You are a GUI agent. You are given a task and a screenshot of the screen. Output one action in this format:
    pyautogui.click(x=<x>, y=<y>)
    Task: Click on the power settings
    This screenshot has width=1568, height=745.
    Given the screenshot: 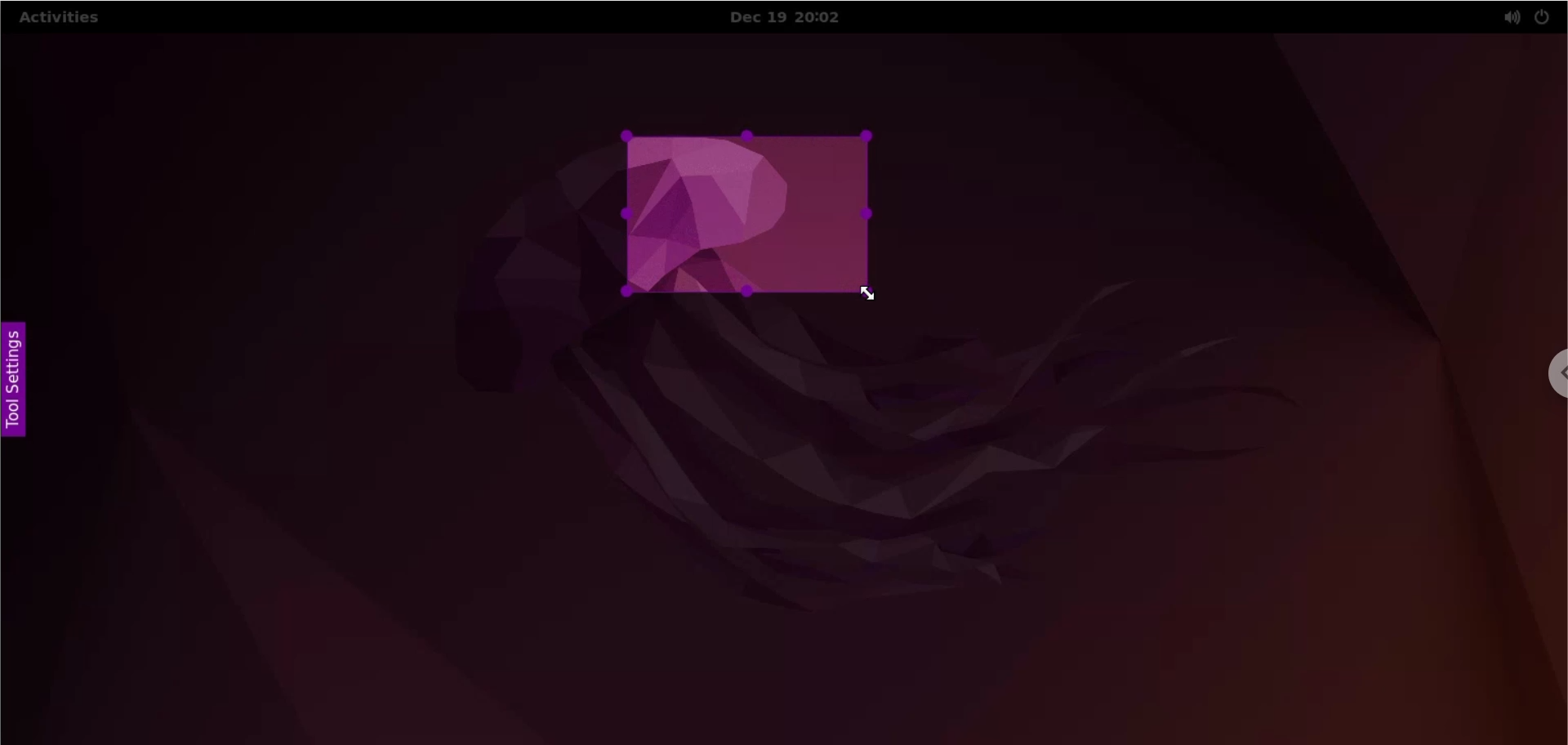 What is the action you would take?
    pyautogui.click(x=1542, y=18)
    